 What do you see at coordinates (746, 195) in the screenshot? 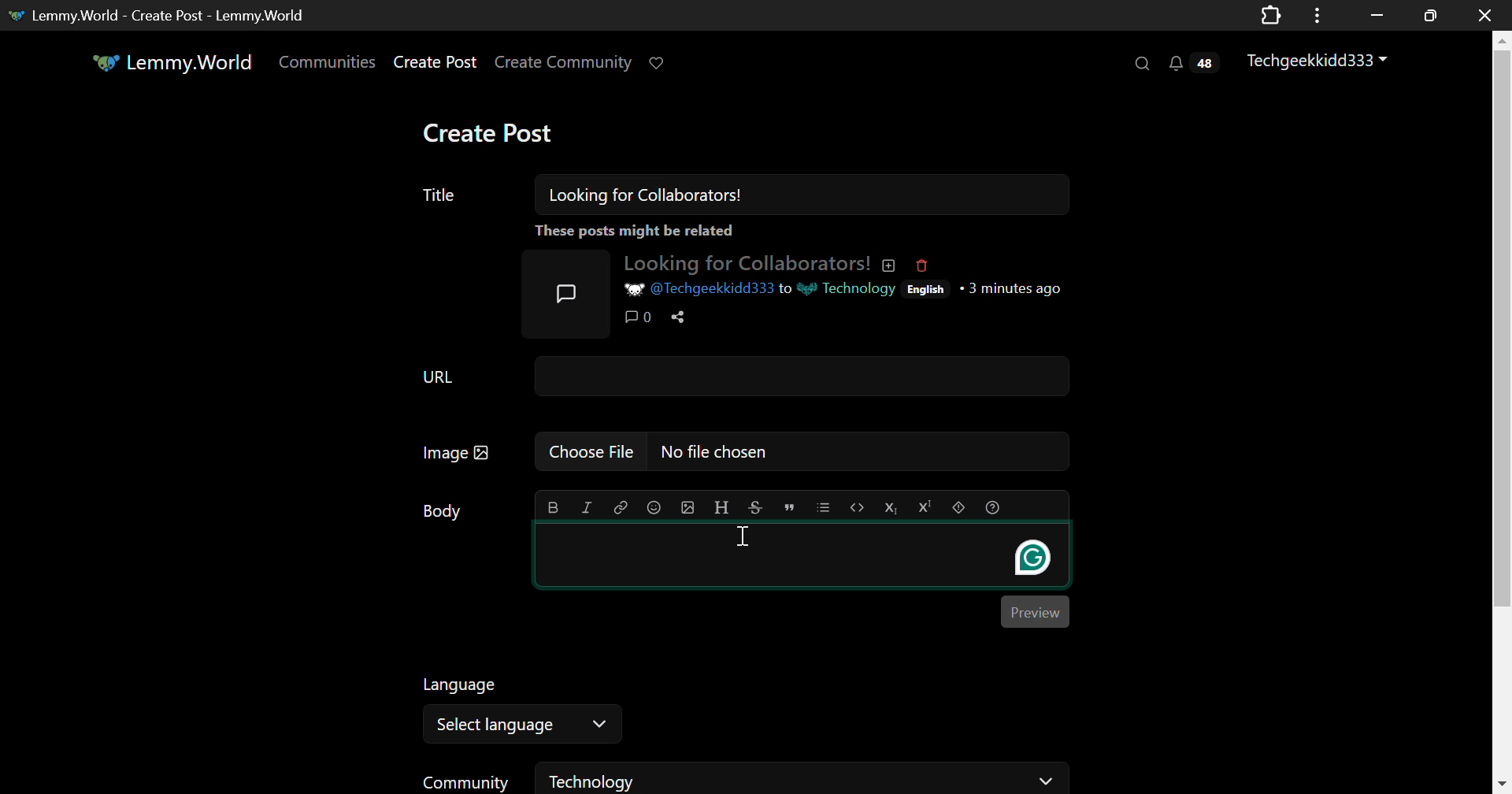
I see `Title: Looking for Collaborators!` at bounding box center [746, 195].